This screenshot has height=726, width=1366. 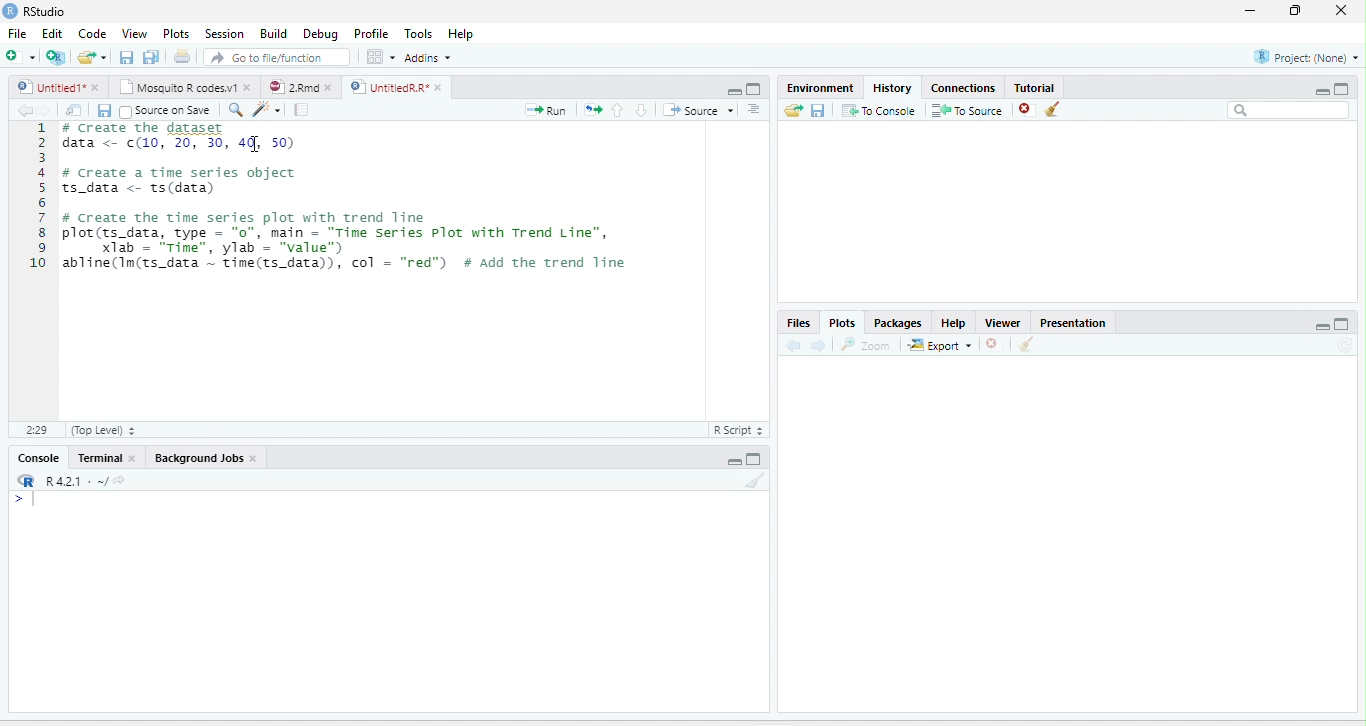 I want to click on Addins, so click(x=428, y=58).